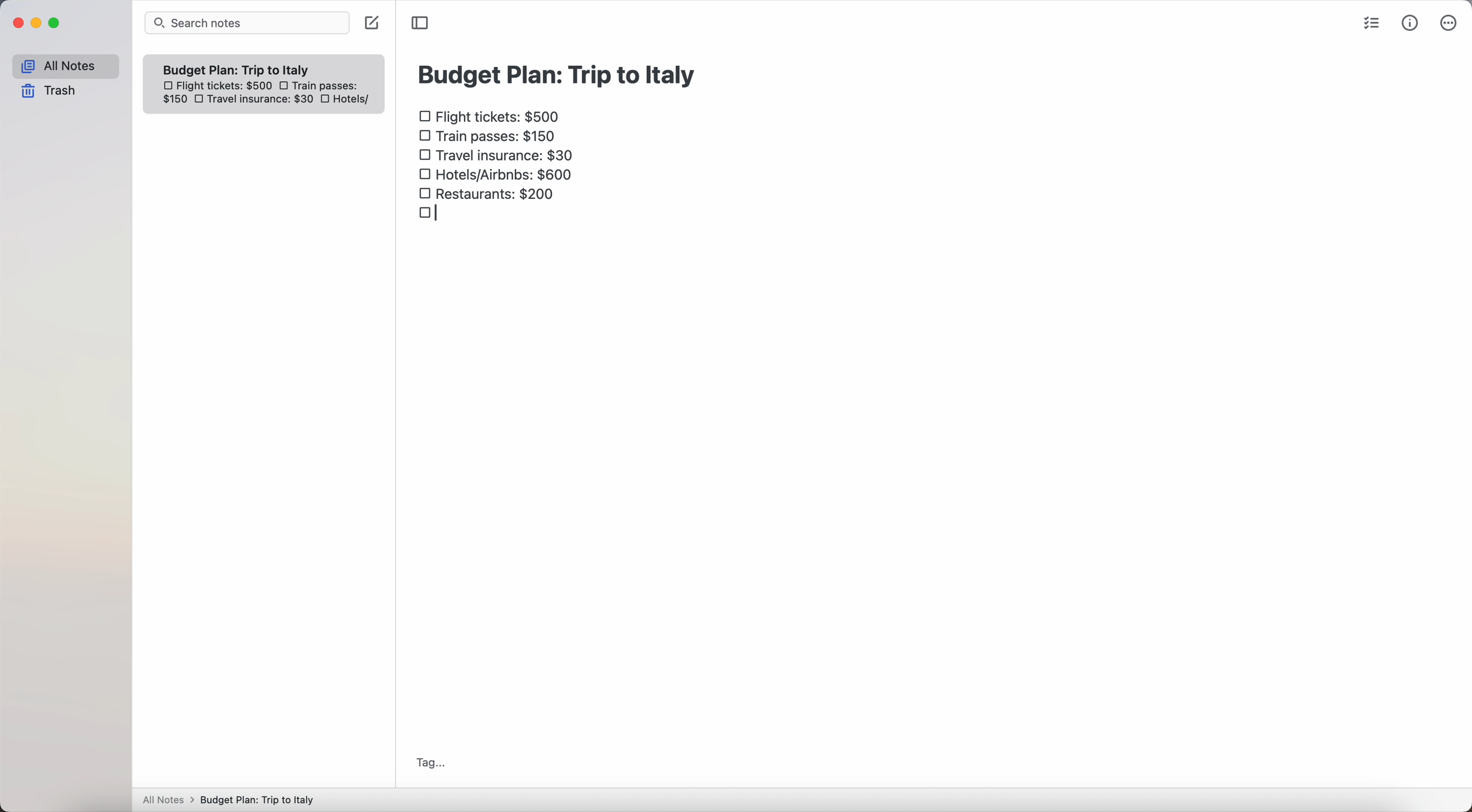 This screenshot has height=812, width=1472. What do you see at coordinates (1449, 23) in the screenshot?
I see `more options` at bounding box center [1449, 23].